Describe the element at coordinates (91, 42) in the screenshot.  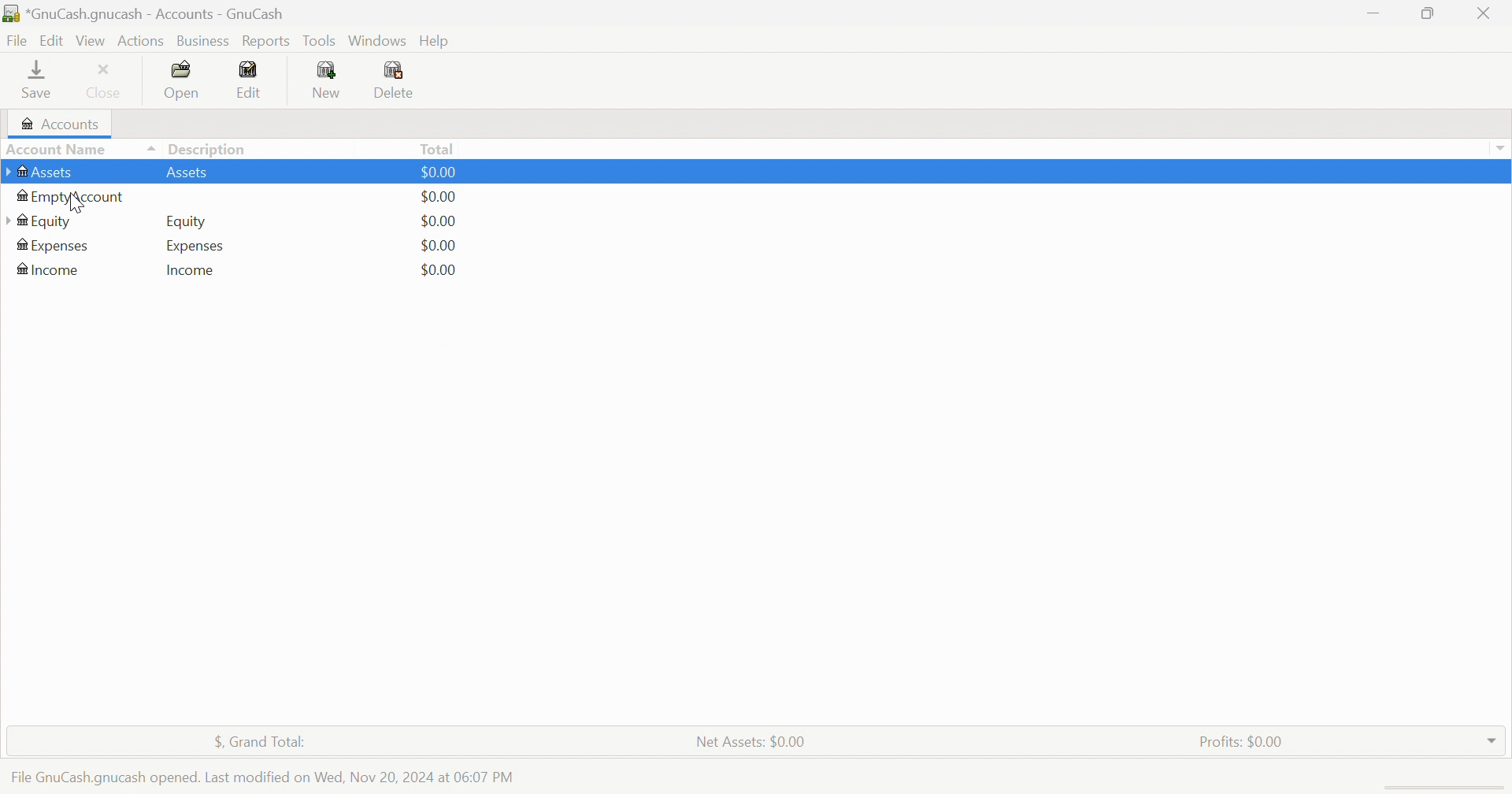
I see `View` at that location.